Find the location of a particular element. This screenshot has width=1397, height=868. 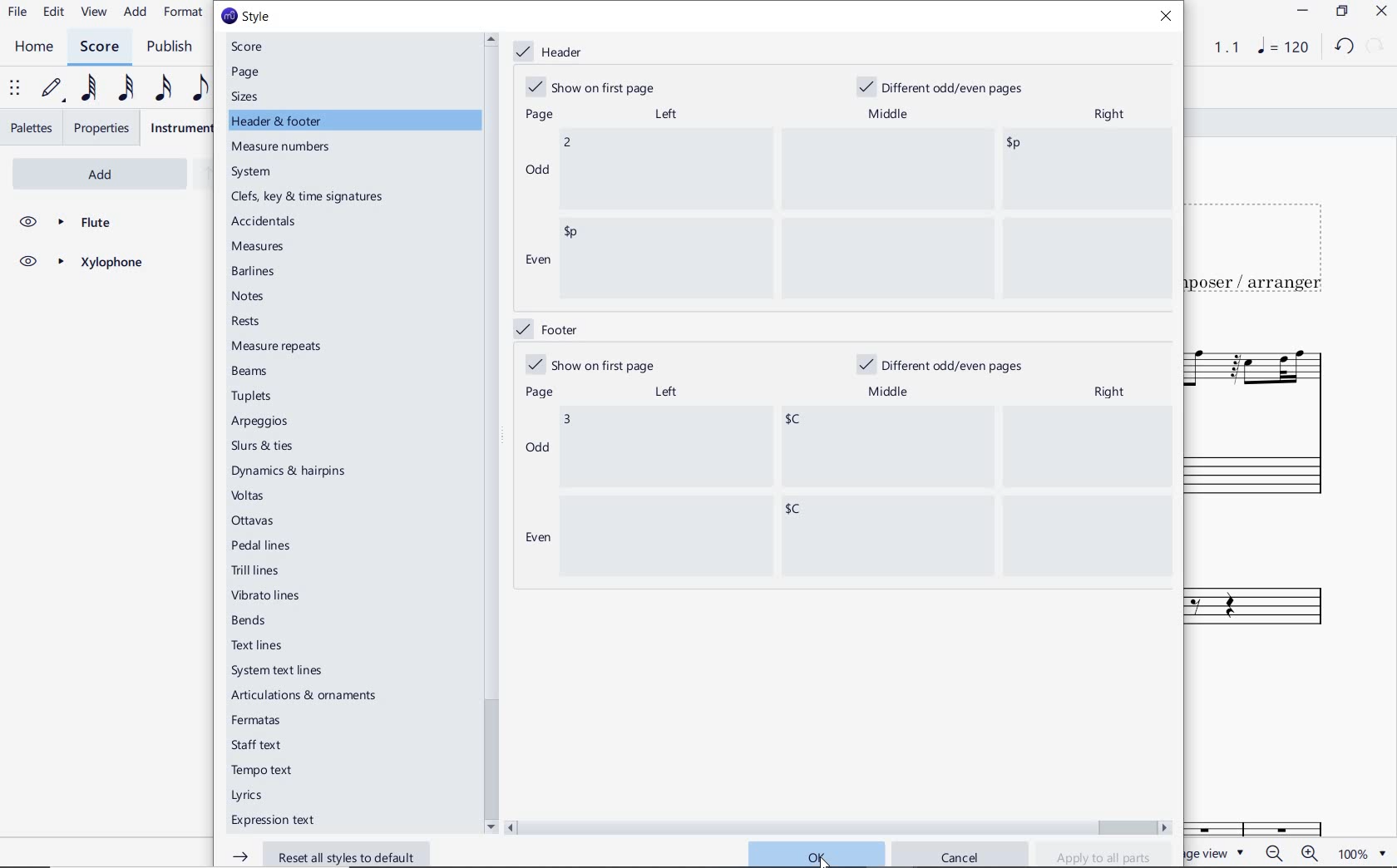

odd is located at coordinates (537, 169).